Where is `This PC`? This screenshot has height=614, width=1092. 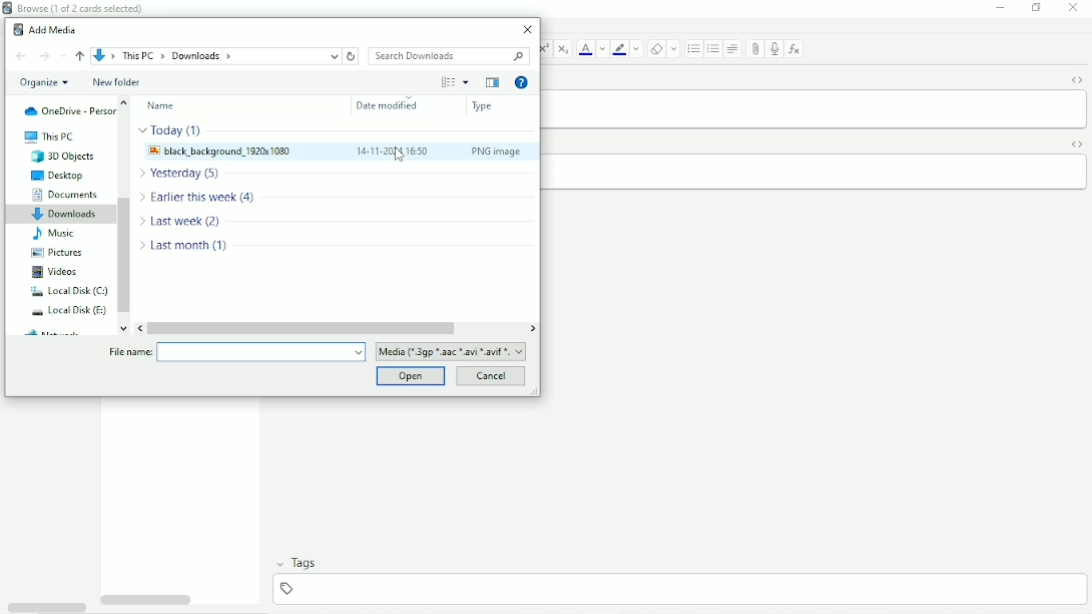 This PC is located at coordinates (49, 137).